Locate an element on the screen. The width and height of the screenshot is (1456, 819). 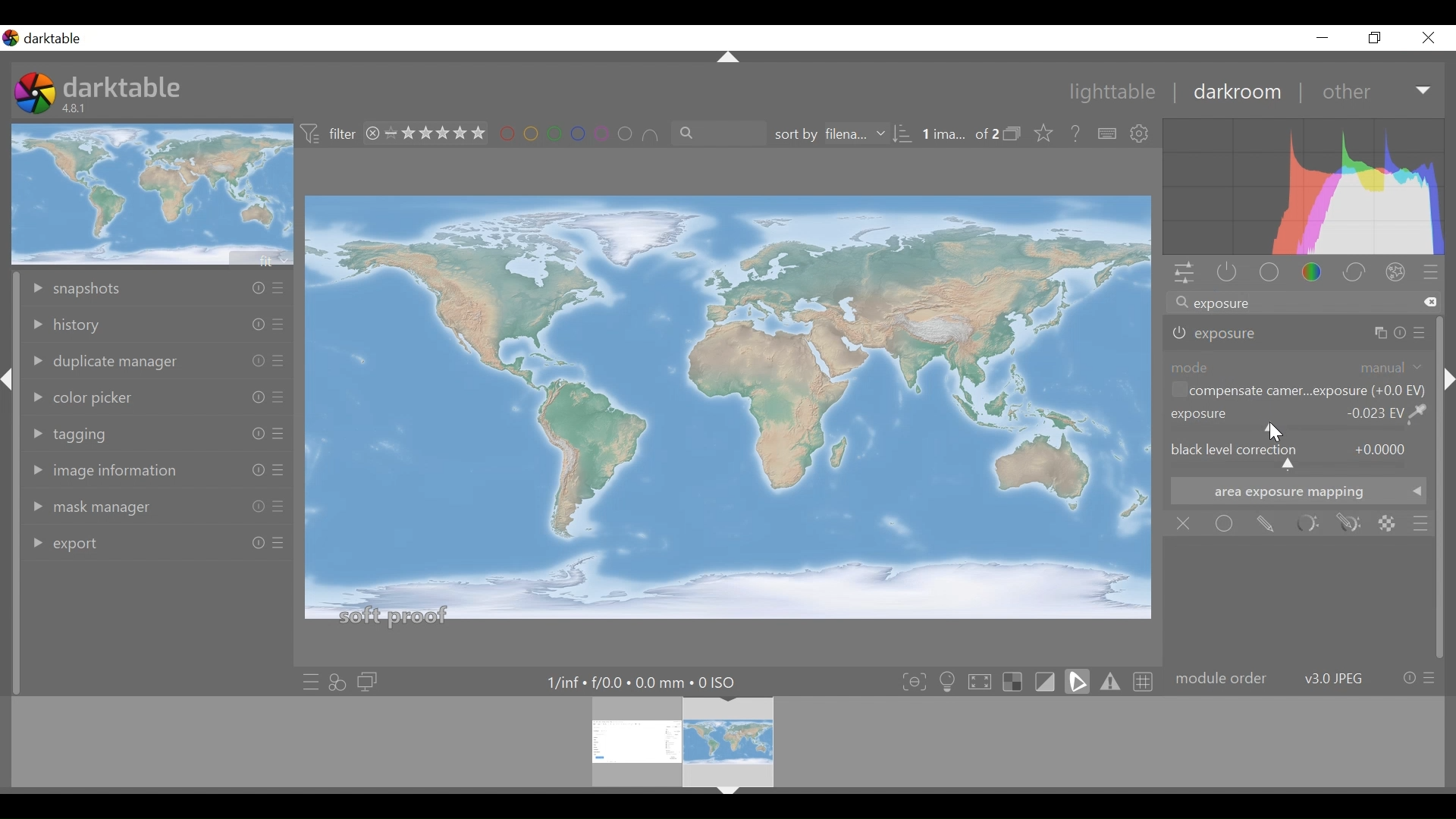
search module by name or  tag is located at coordinates (1302, 304).